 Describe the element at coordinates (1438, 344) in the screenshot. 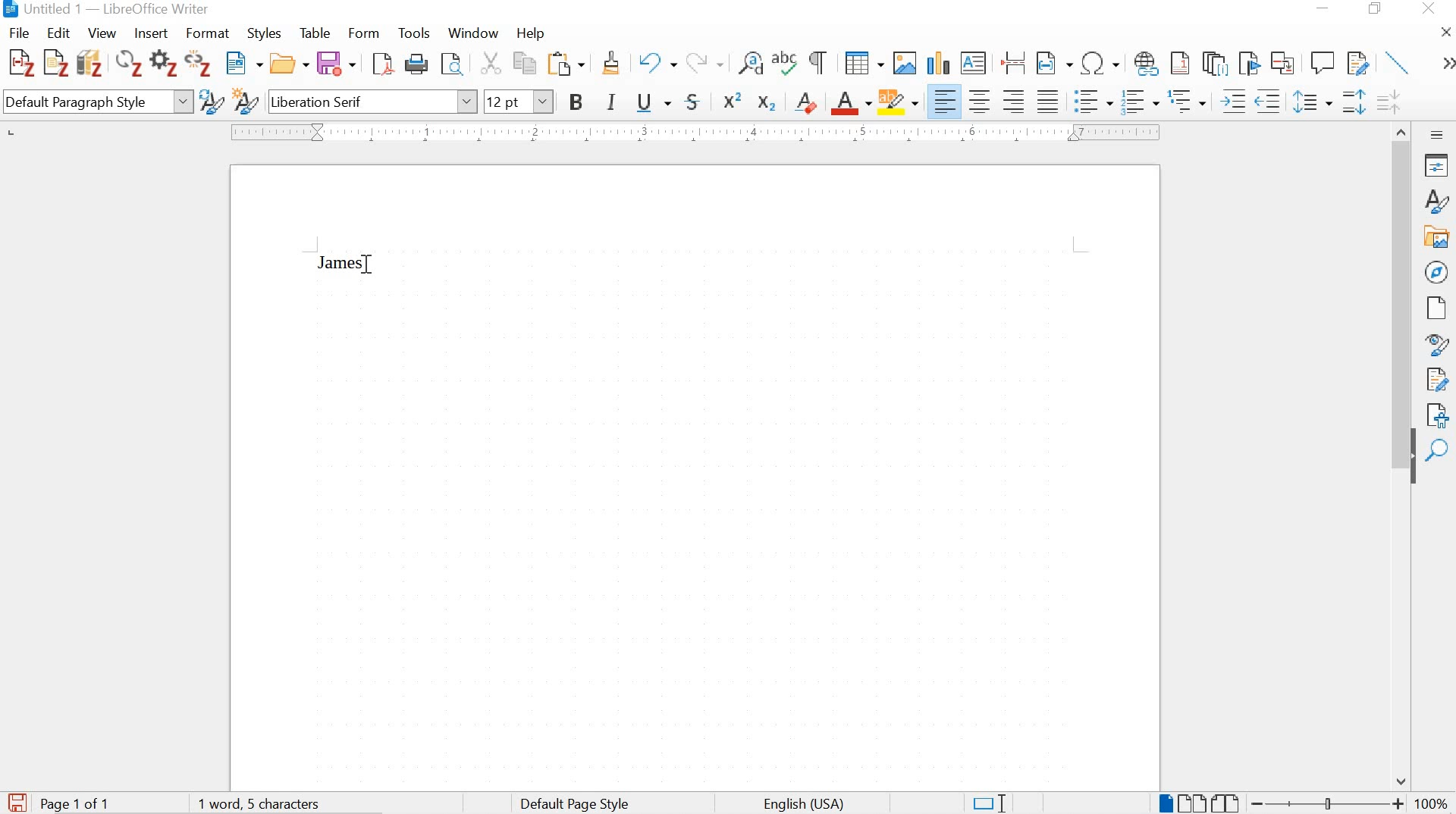

I see `style inspector` at that location.